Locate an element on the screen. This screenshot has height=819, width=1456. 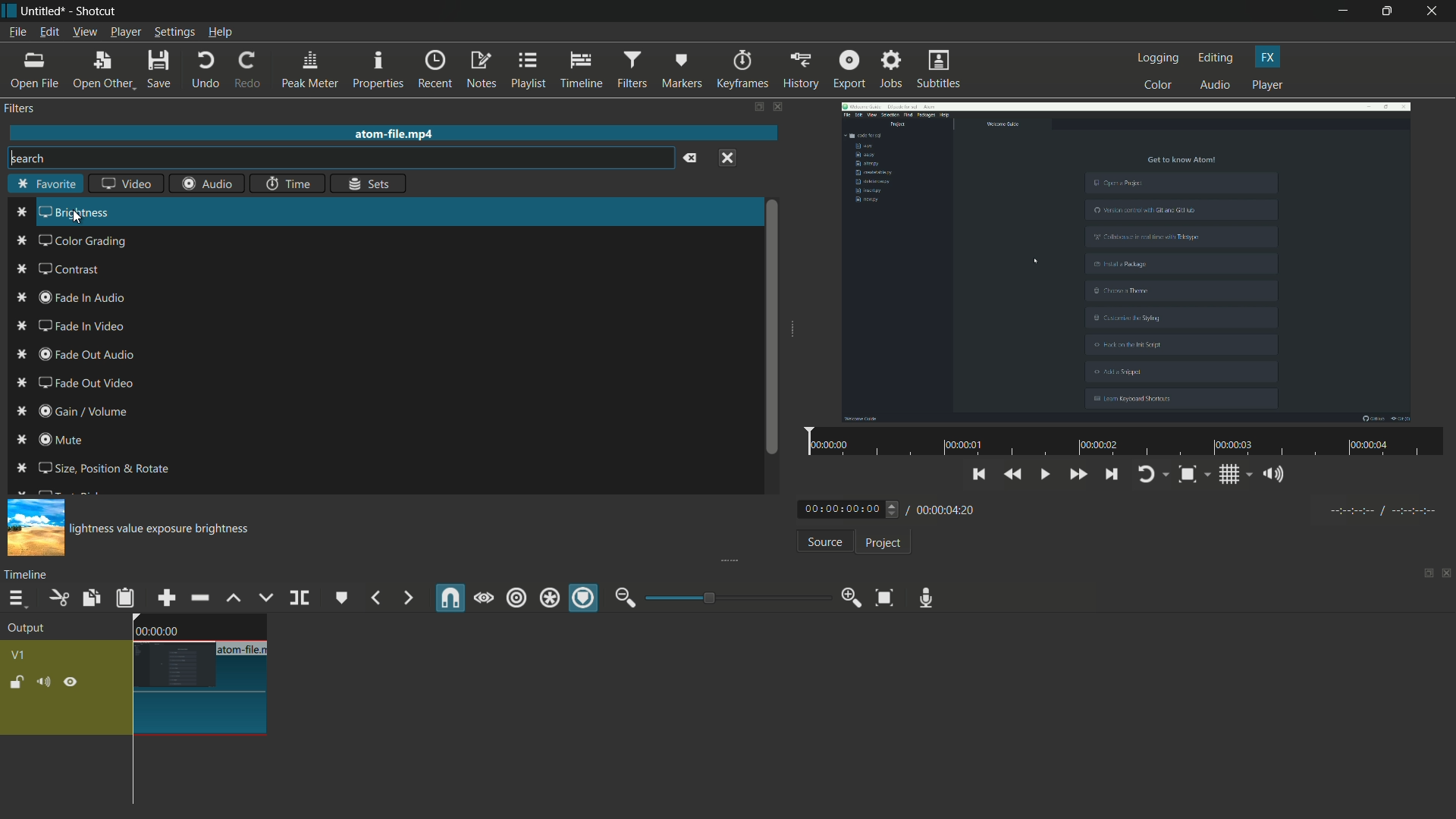
zoom in is located at coordinates (848, 598).